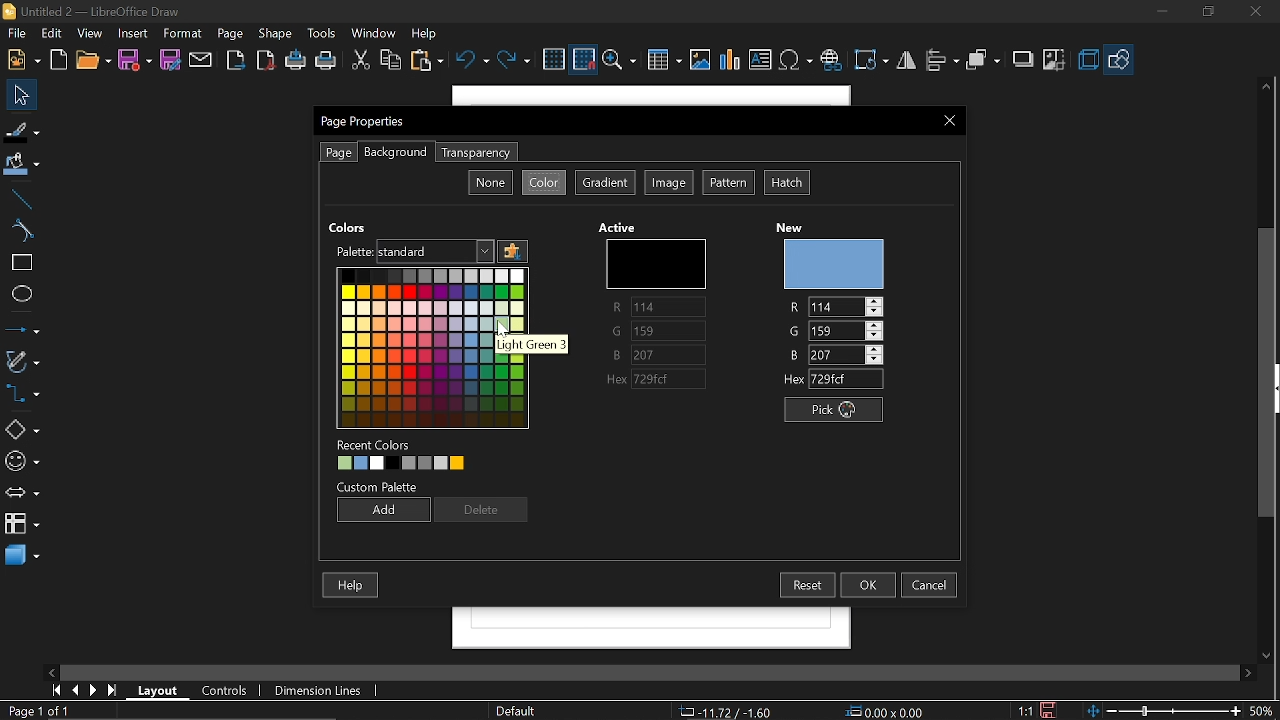  What do you see at coordinates (786, 182) in the screenshot?
I see `Hatch` at bounding box center [786, 182].